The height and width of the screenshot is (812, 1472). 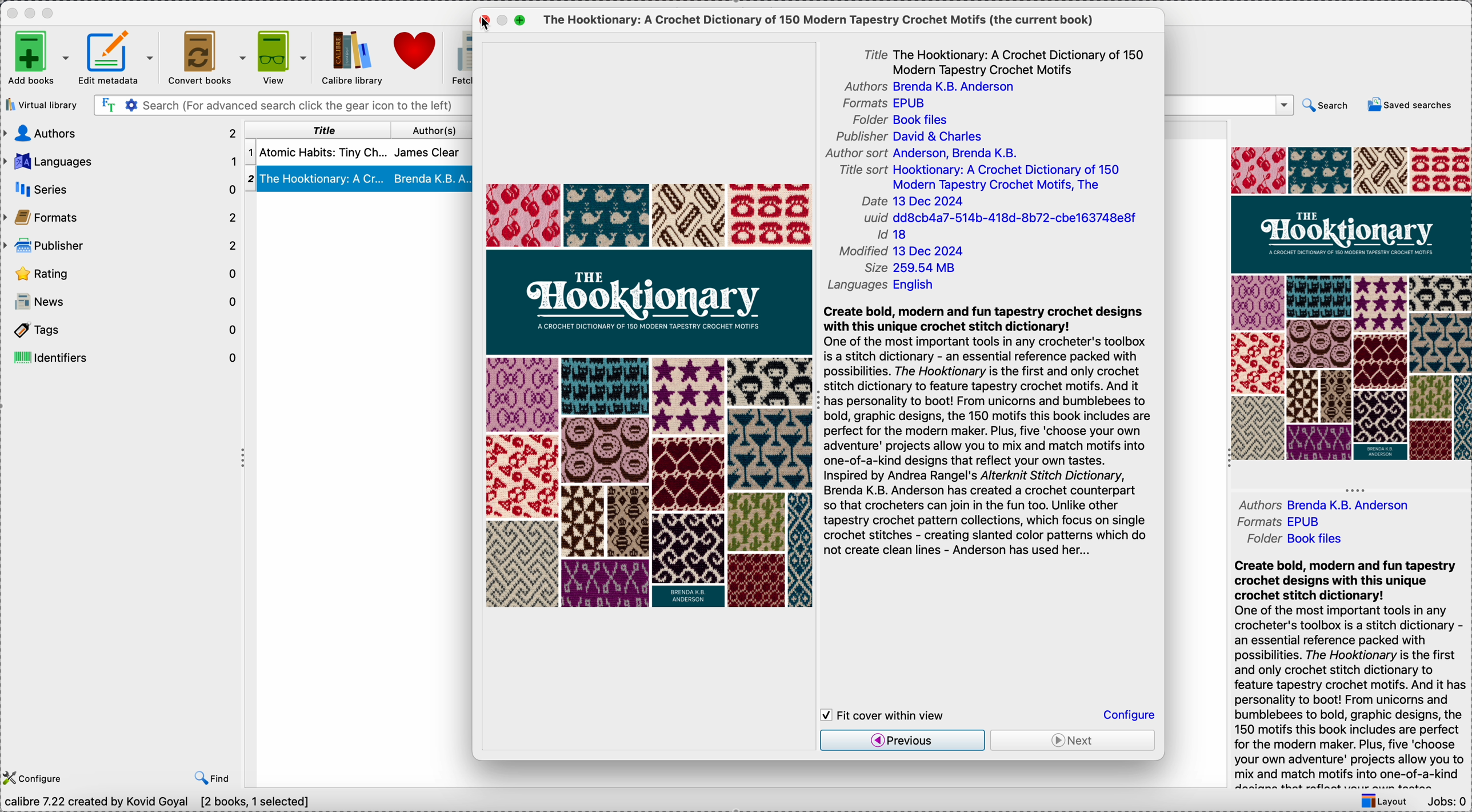 I want to click on search bar, so click(x=1230, y=106).